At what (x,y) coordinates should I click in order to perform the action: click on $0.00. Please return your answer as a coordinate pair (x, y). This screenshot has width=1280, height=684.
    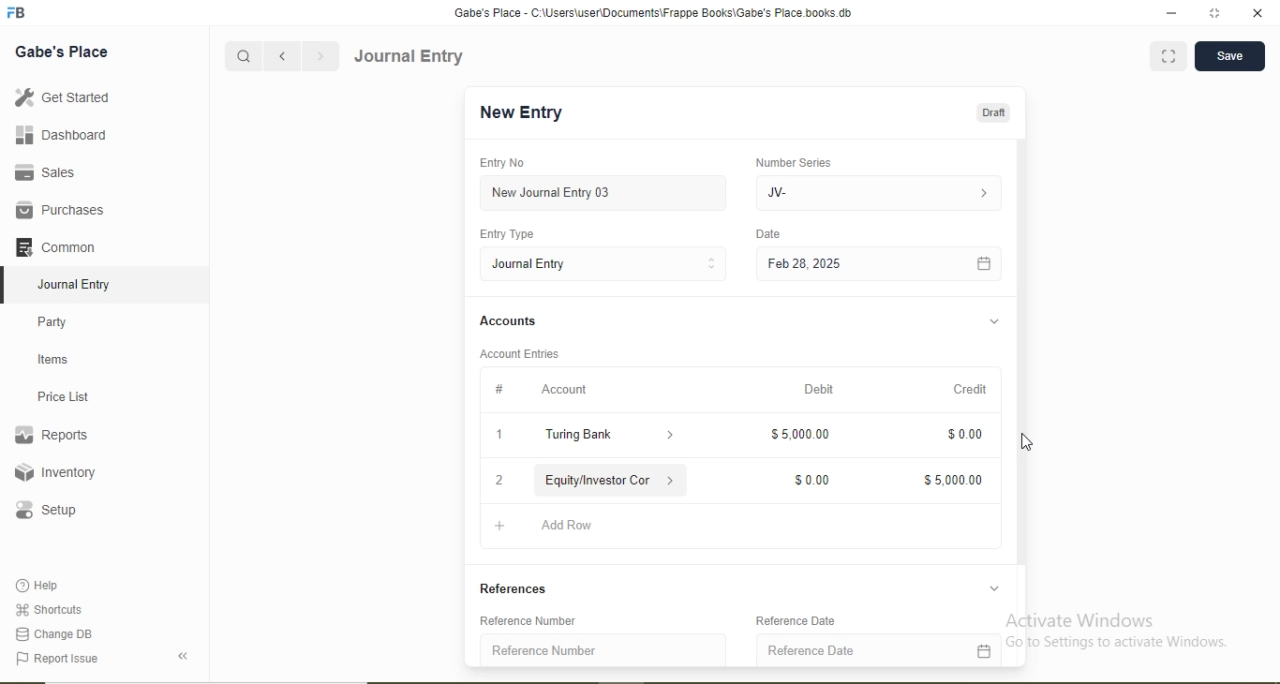
    Looking at the image, I should click on (965, 435).